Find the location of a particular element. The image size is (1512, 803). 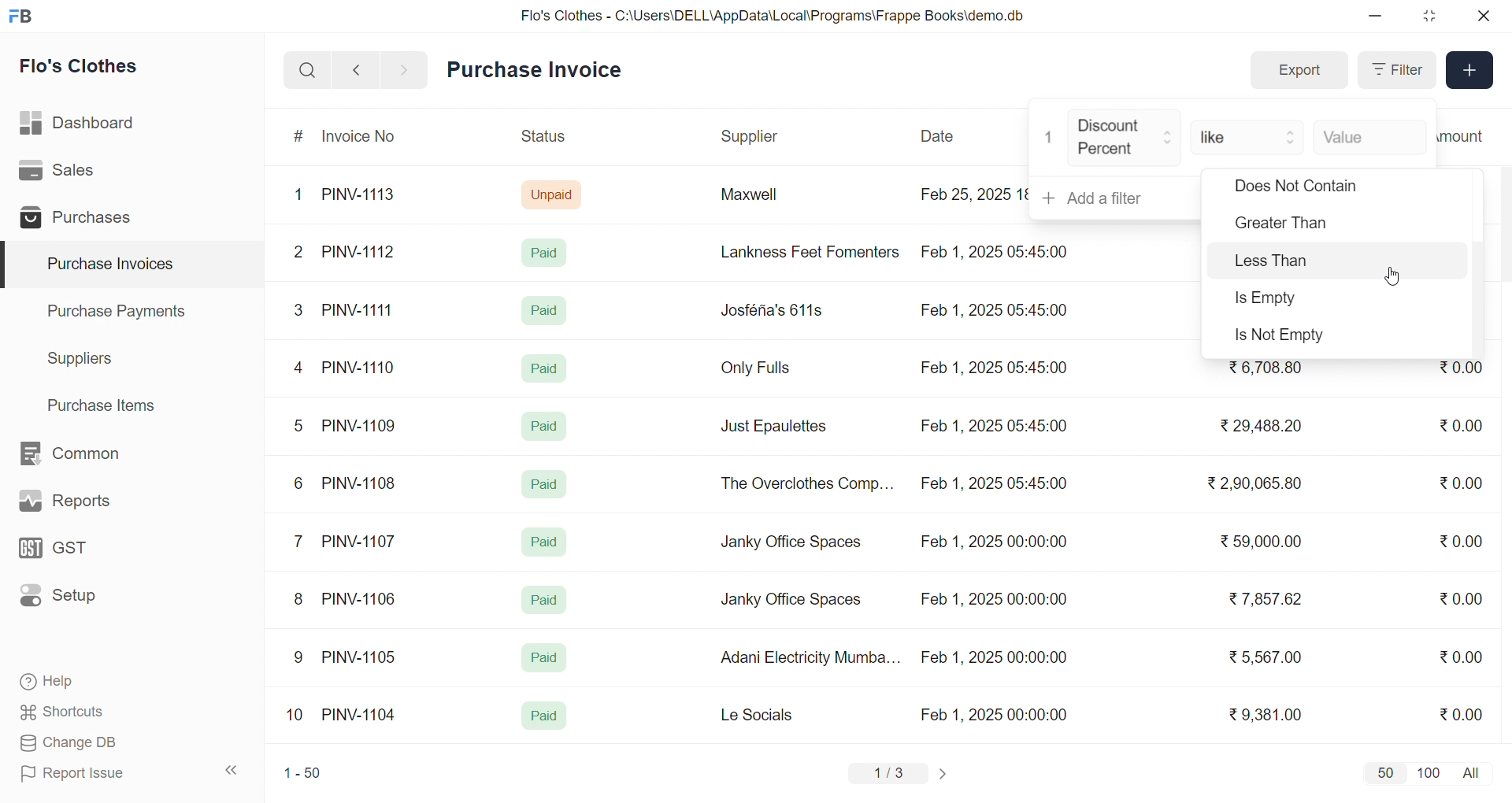

PINV-1104 is located at coordinates (361, 715).